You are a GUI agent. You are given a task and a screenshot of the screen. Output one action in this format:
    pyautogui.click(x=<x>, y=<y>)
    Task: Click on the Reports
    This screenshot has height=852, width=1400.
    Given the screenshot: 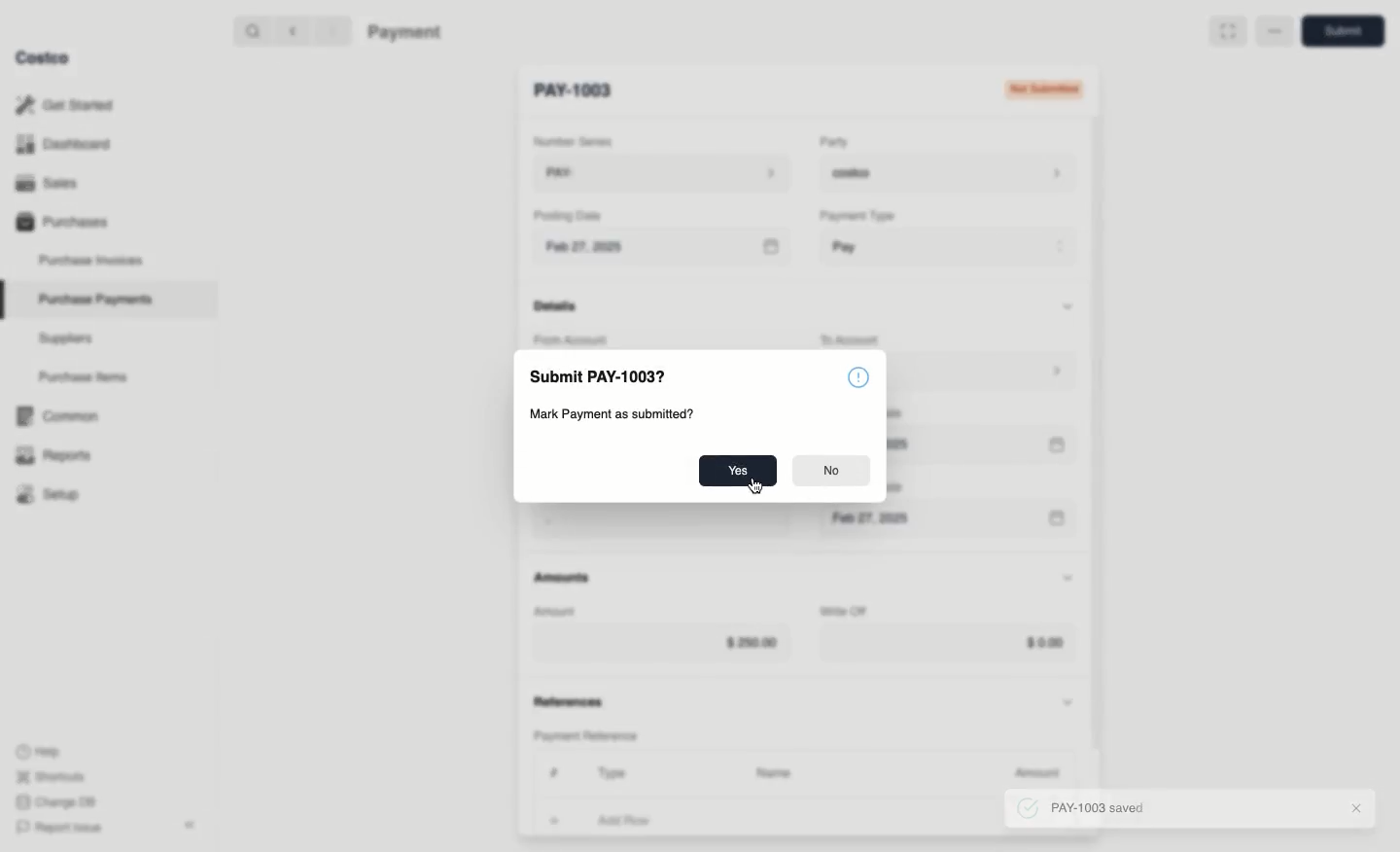 What is the action you would take?
    pyautogui.click(x=51, y=452)
    